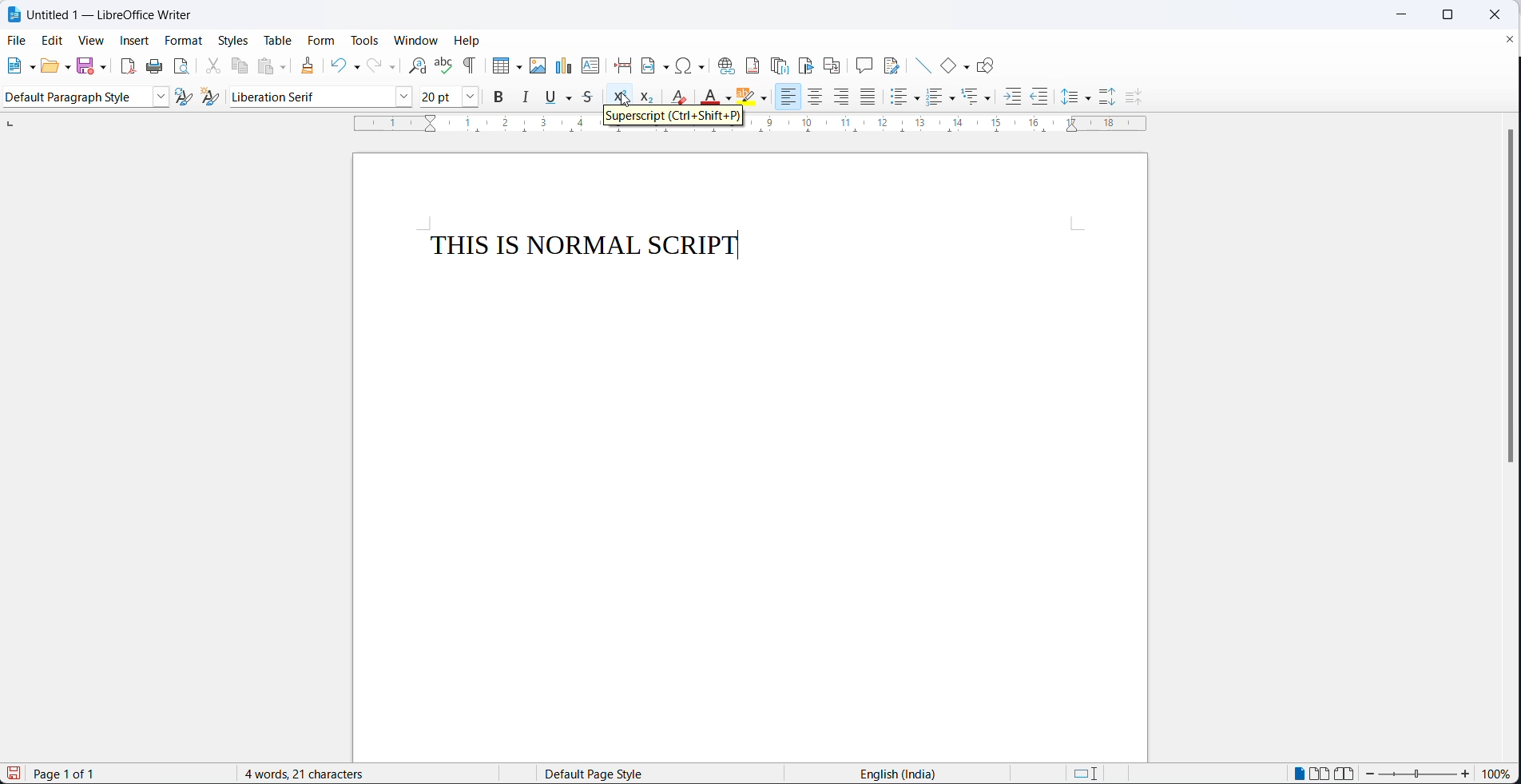  Describe the element at coordinates (1088, 99) in the screenshot. I see `line spacing options` at that location.